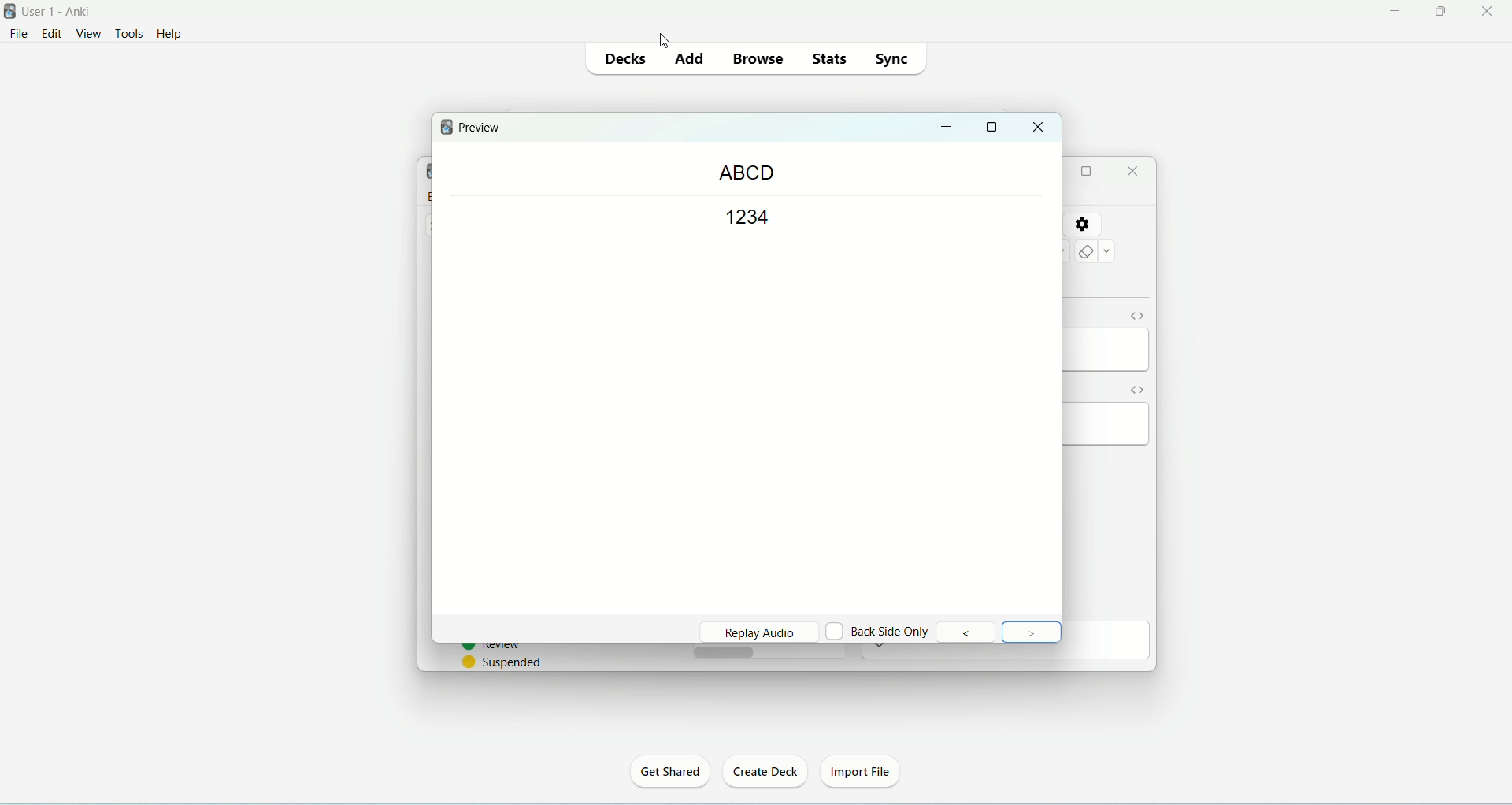 The image size is (1512, 805). Describe the element at coordinates (994, 128) in the screenshot. I see `maximize` at that location.